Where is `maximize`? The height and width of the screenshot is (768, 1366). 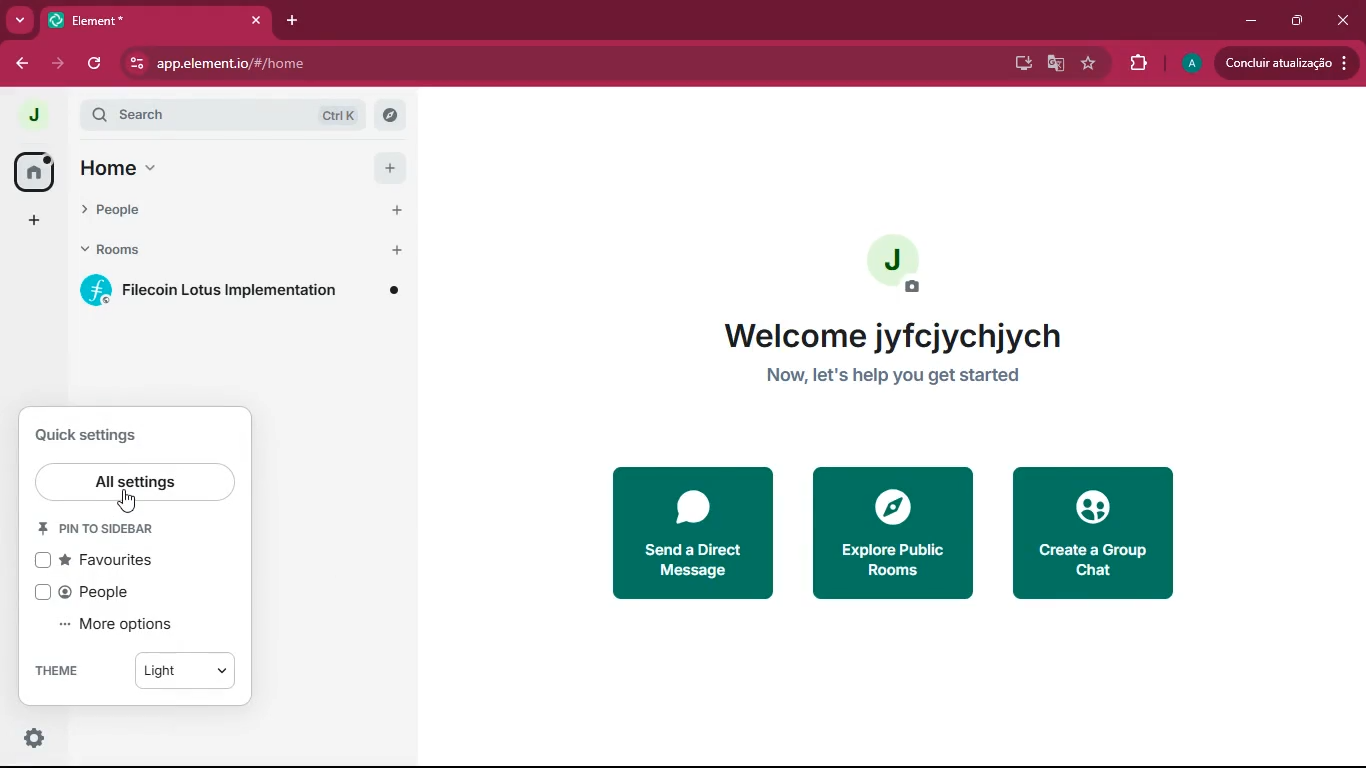 maximize is located at coordinates (1293, 20).